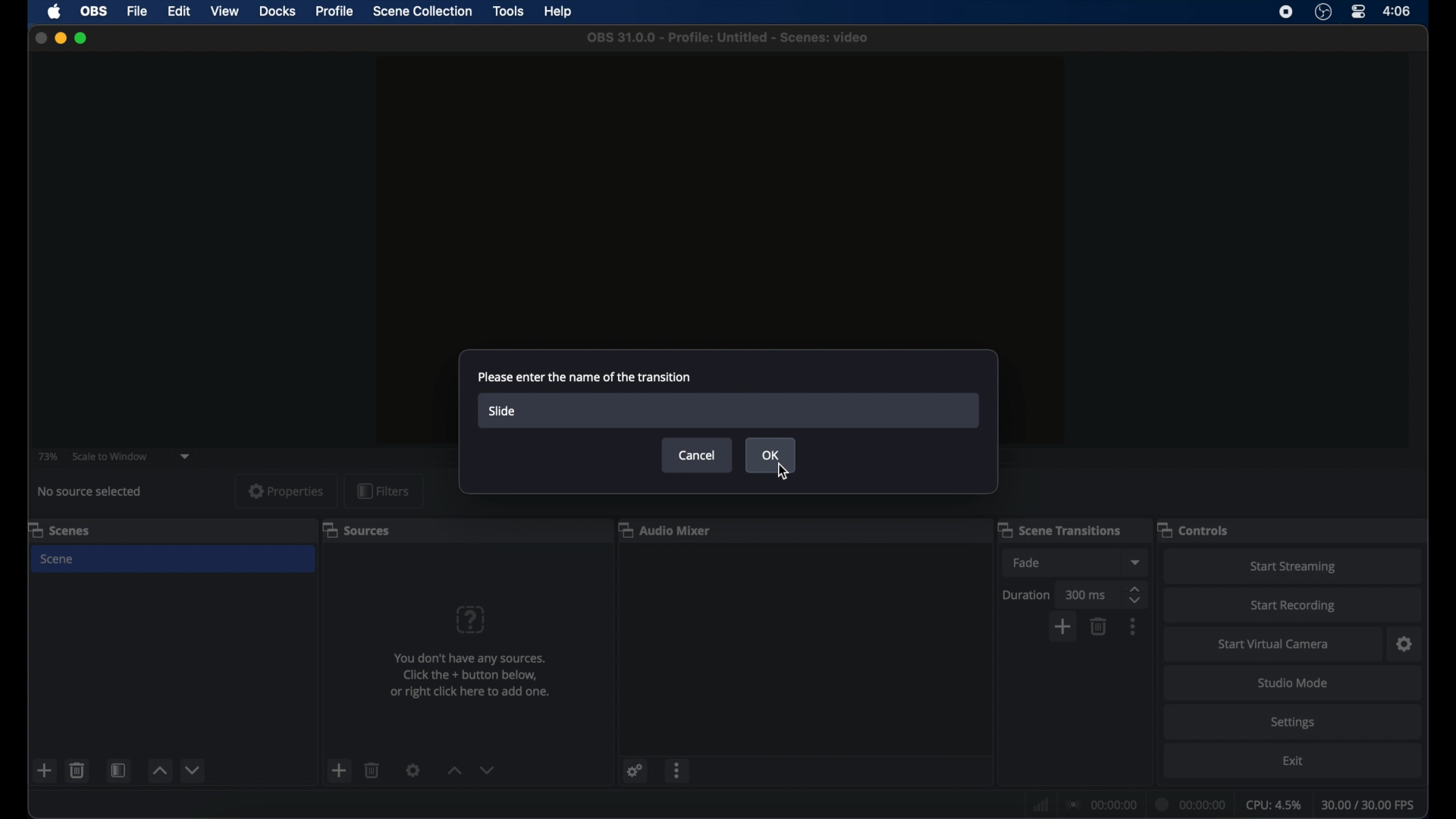 Image resolution: width=1456 pixels, height=819 pixels. I want to click on start virtual camera, so click(1273, 645).